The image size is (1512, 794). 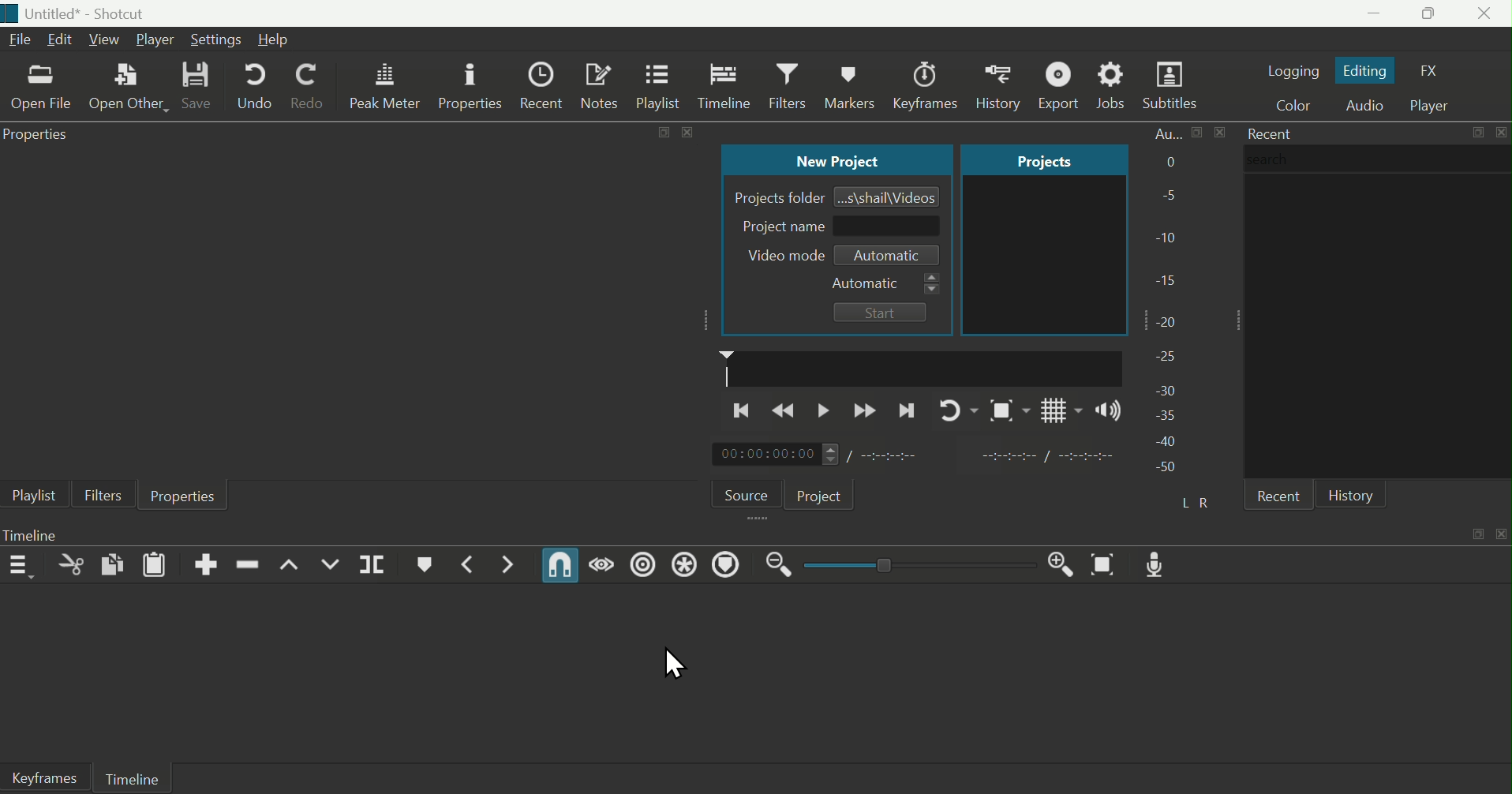 What do you see at coordinates (922, 367) in the screenshot?
I see `timeline` at bounding box center [922, 367].